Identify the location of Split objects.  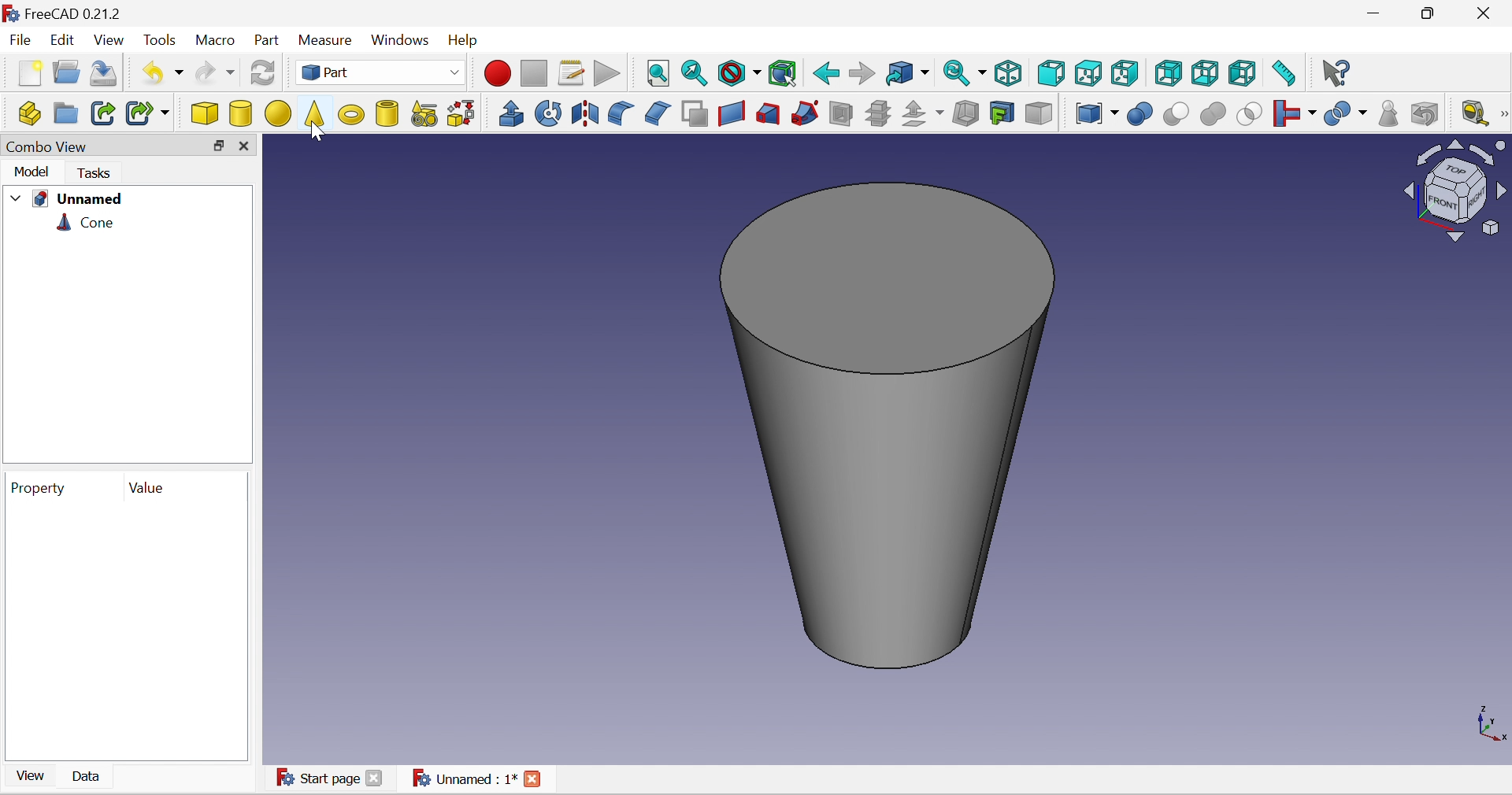
(1346, 116).